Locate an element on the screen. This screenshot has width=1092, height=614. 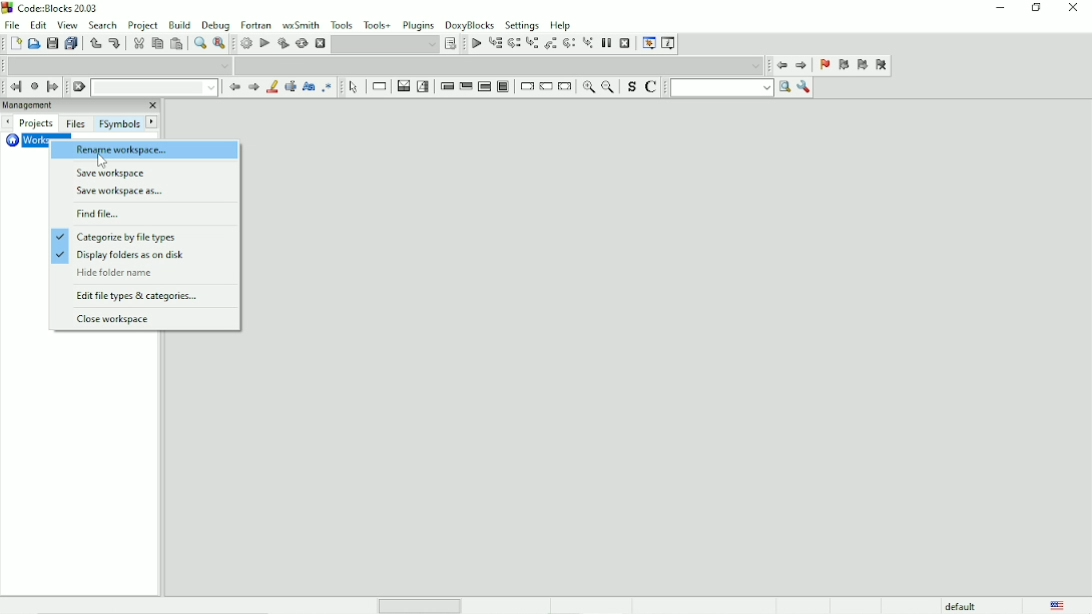
Previous bookmark is located at coordinates (843, 67).